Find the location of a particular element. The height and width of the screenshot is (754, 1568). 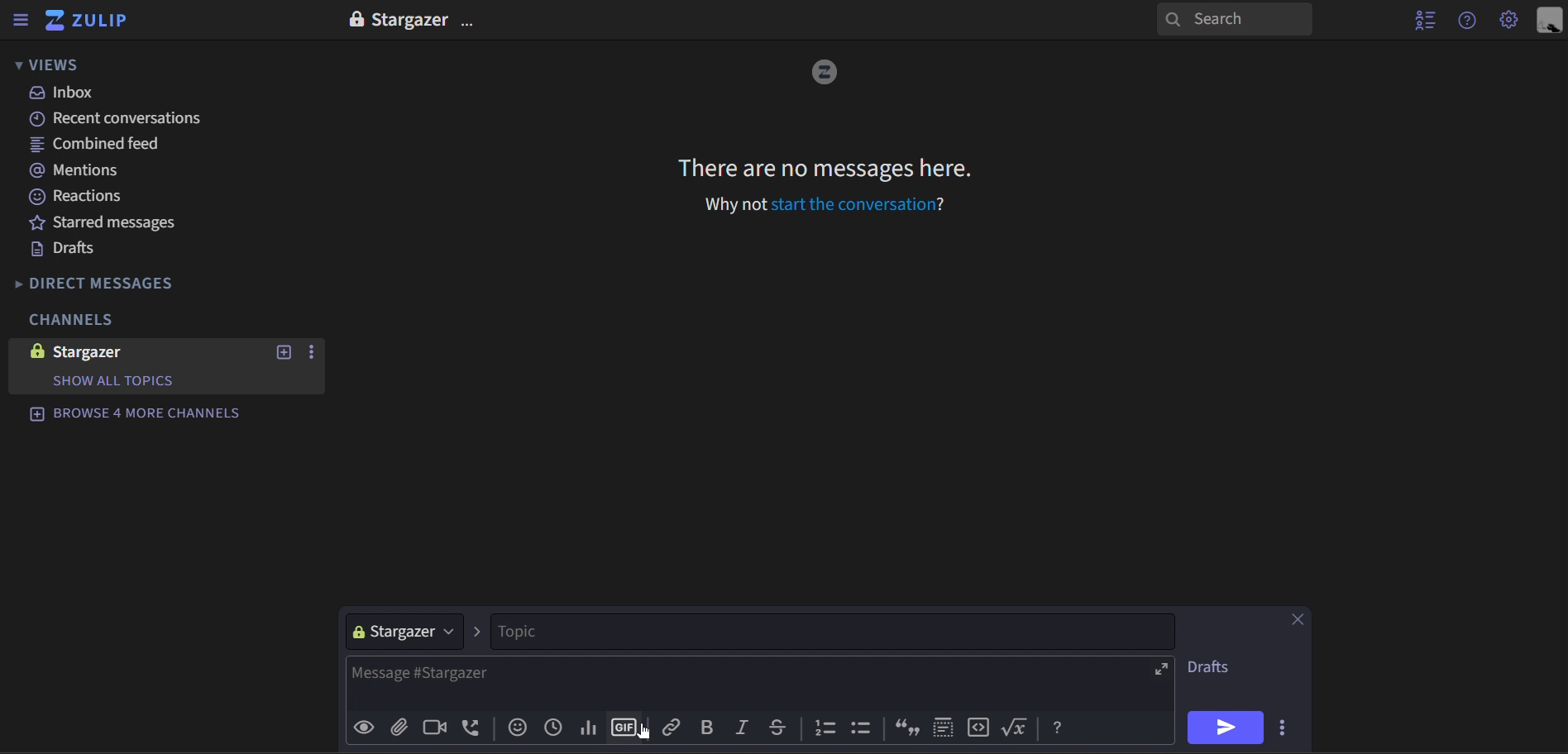

Selection is located at coordinates (944, 727).